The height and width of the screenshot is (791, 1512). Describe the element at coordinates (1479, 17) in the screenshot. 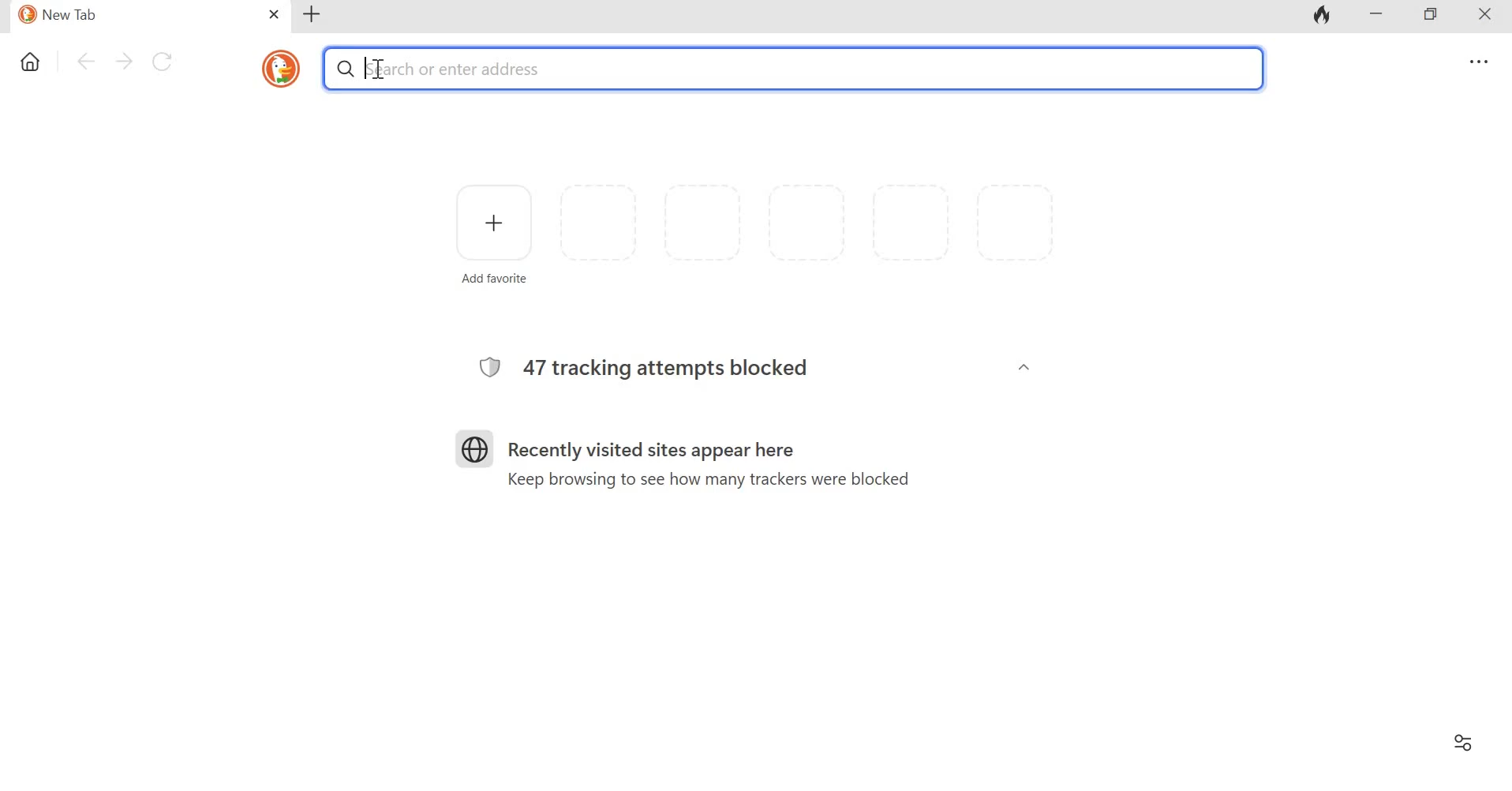

I see `Close` at that location.